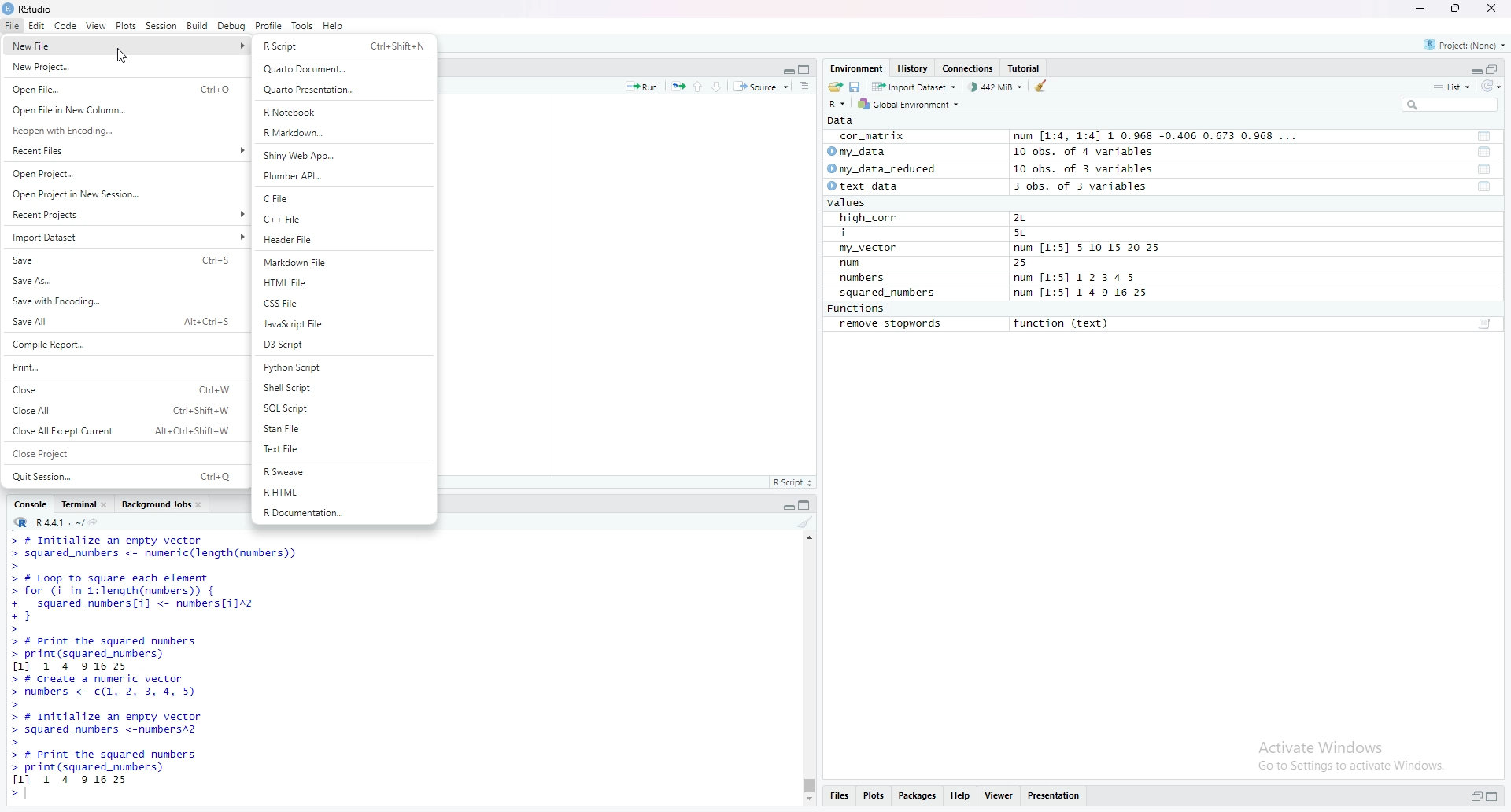 Image resolution: width=1511 pixels, height=812 pixels. I want to click on Scrollbar down, so click(807, 802).